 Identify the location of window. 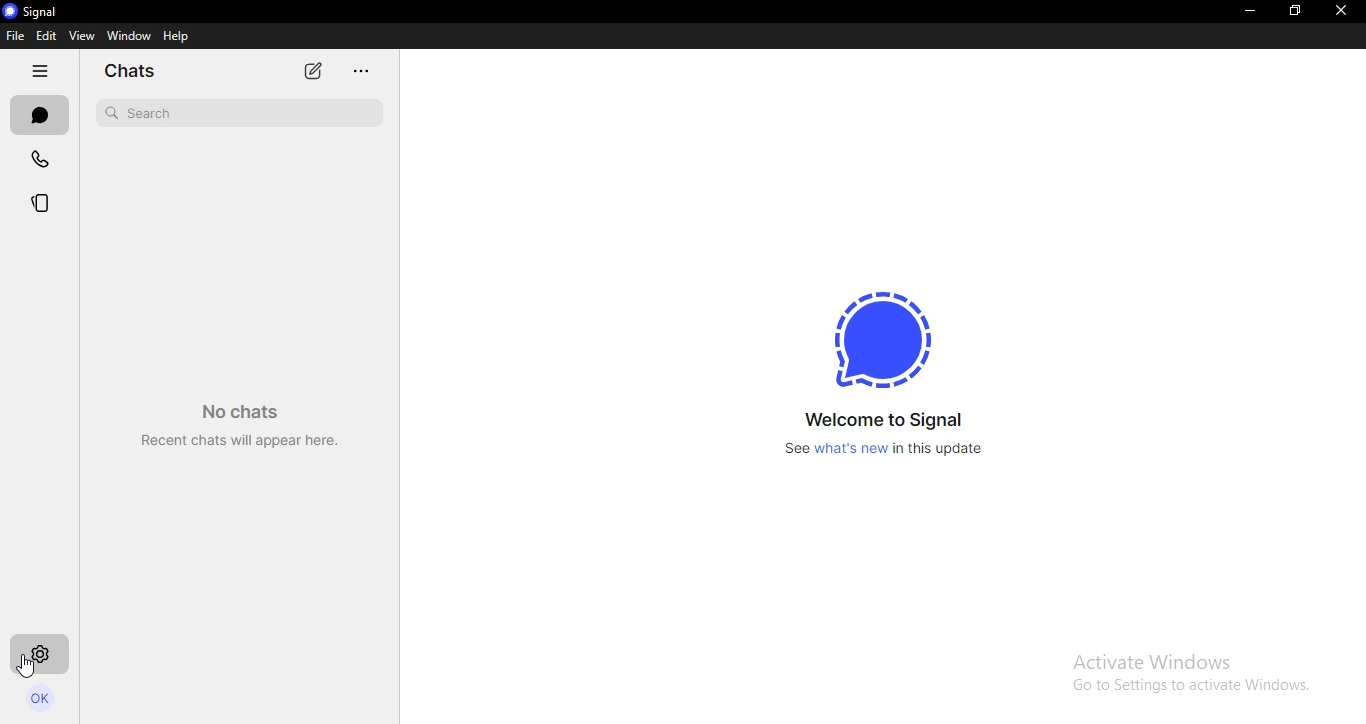
(128, 37).